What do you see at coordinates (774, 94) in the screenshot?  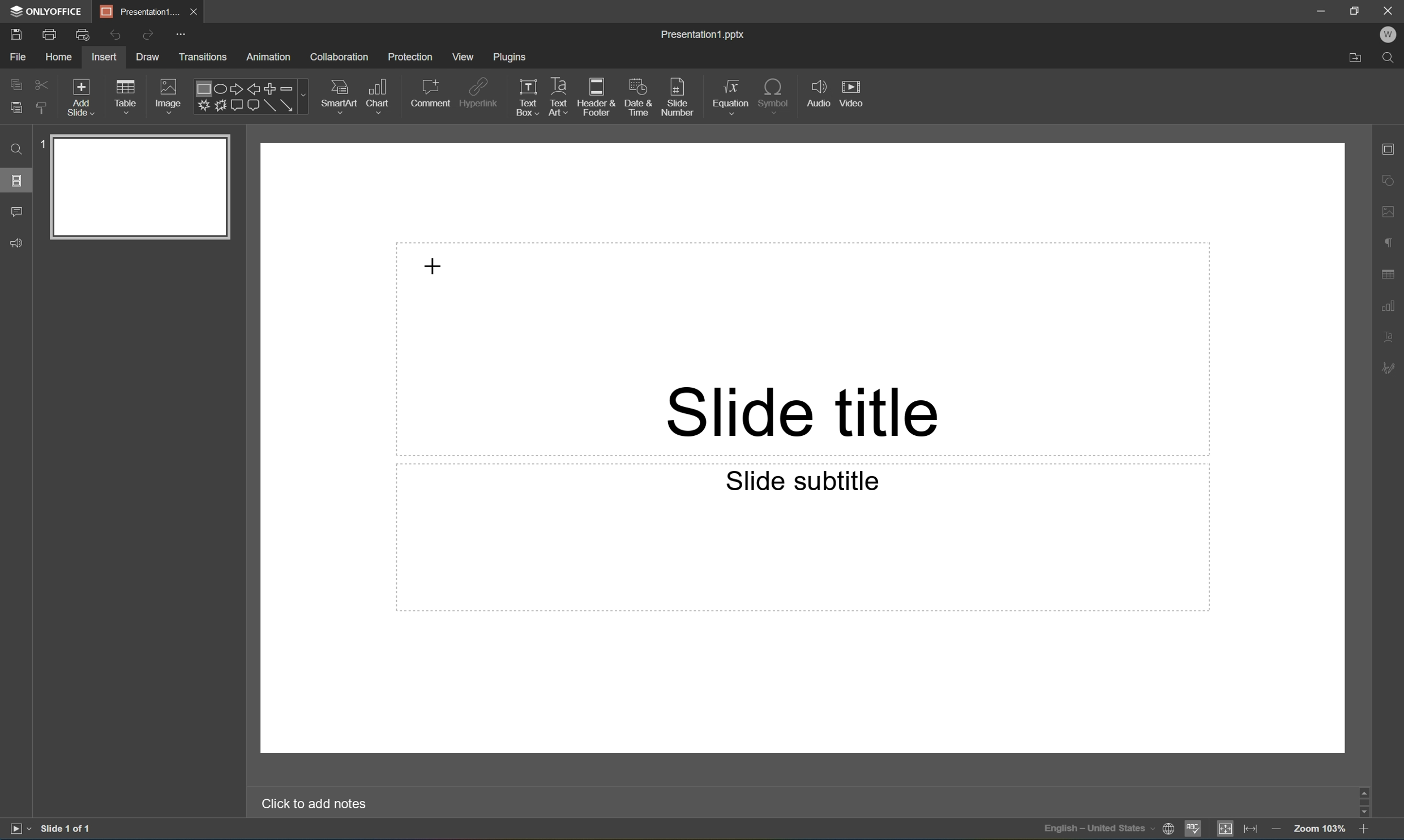 I see `Symbol` at bounding box center [774, 94].